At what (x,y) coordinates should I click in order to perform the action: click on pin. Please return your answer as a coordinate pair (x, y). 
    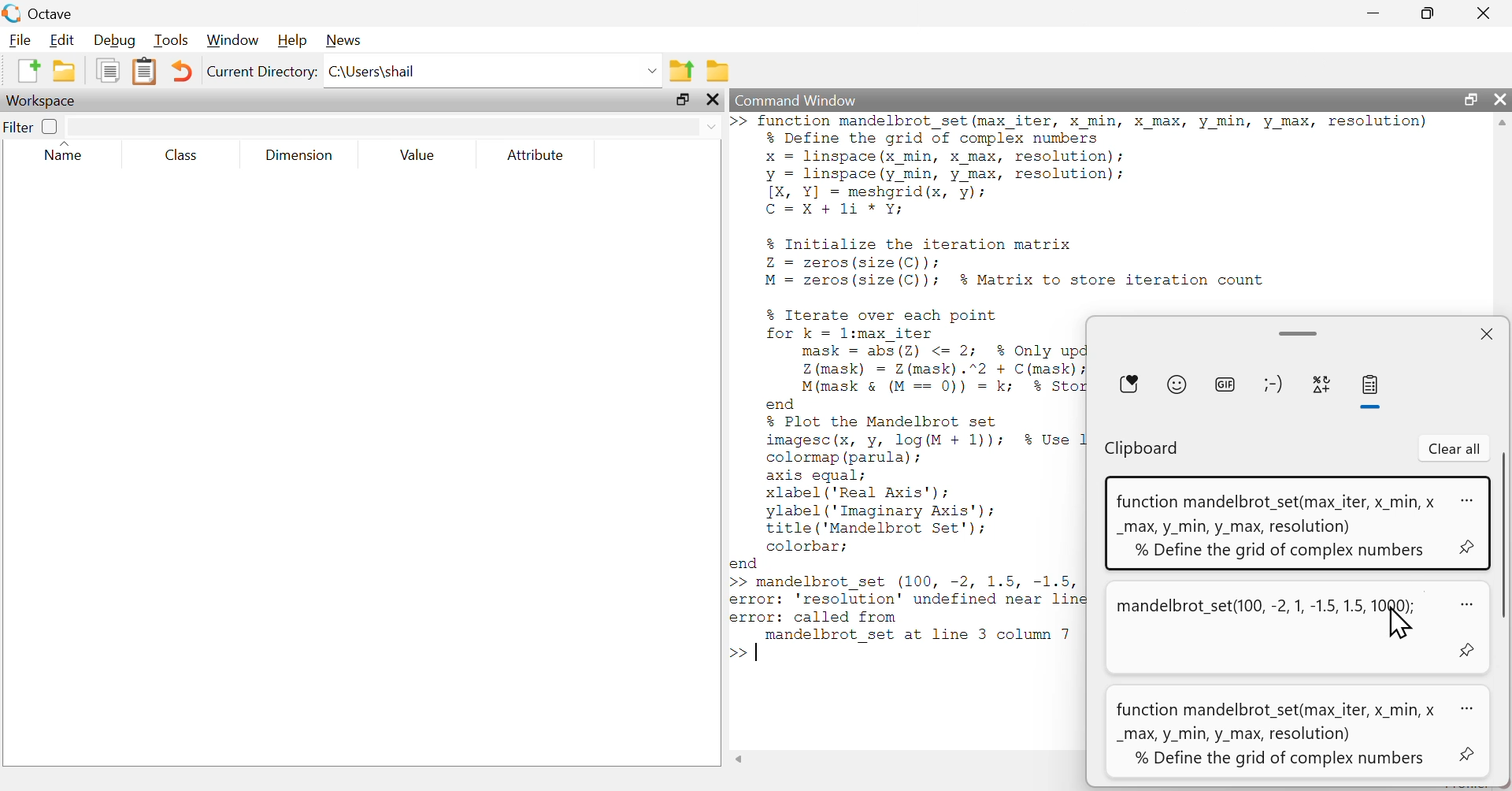
    Looking at the image, I should click on (1465, 754).